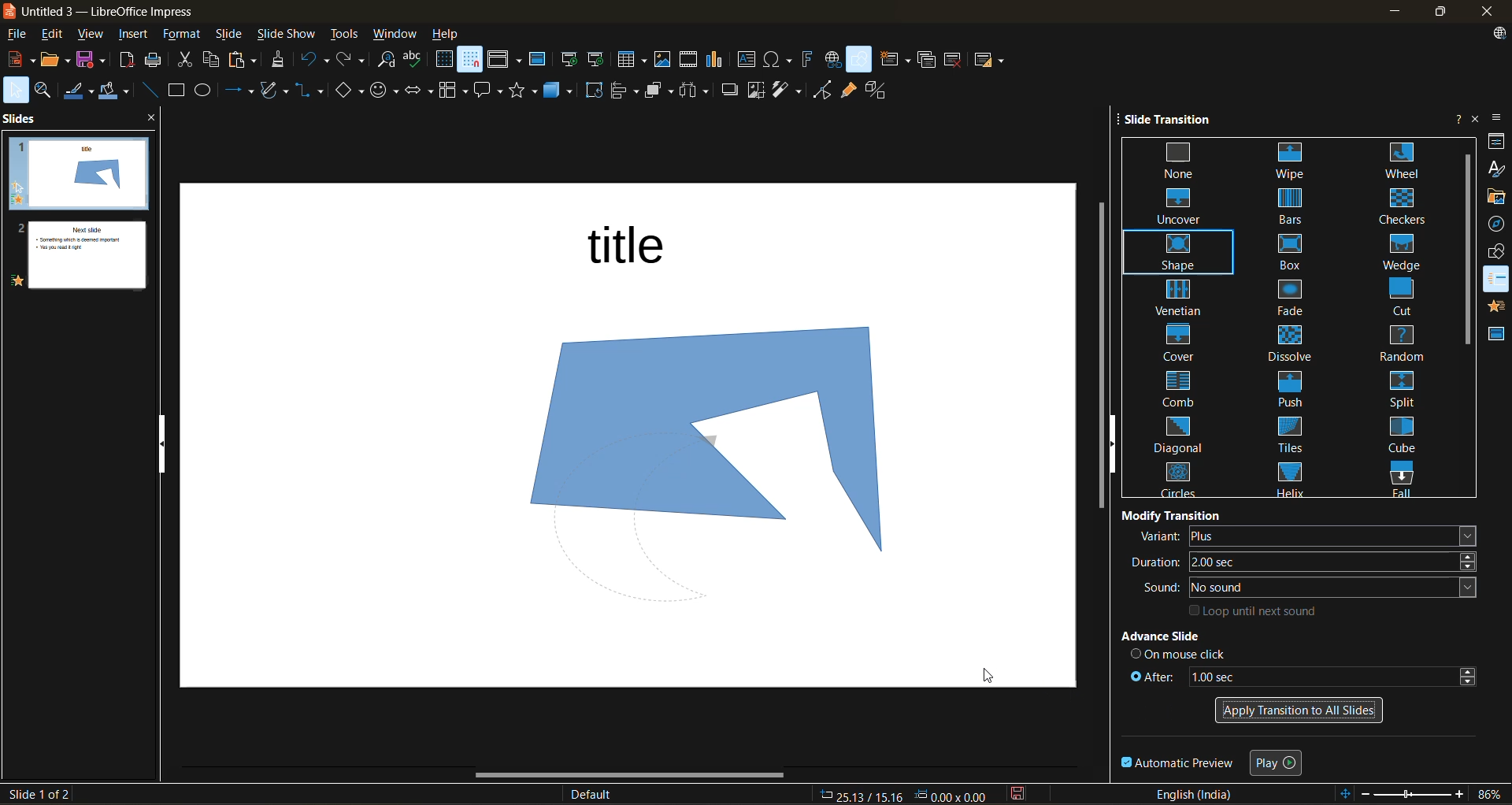  Describe the element at coordinates (231, 34) in the screenshot. I see `slide` at that location.